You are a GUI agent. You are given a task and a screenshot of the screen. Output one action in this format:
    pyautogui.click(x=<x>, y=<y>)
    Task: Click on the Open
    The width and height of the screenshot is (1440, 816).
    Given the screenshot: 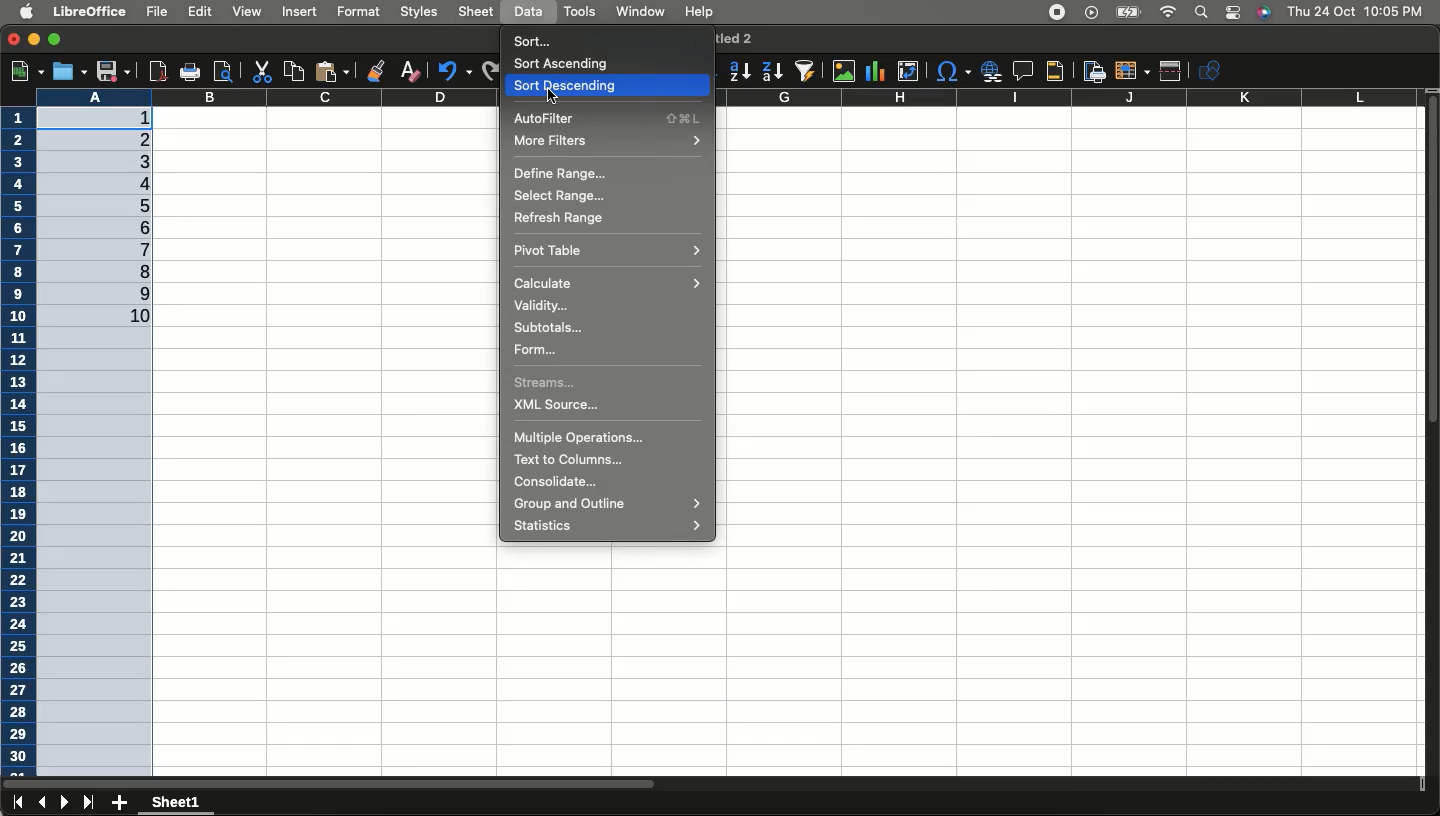 What is the action you would take?
    pyautogui.click(x=68, y=72)
    